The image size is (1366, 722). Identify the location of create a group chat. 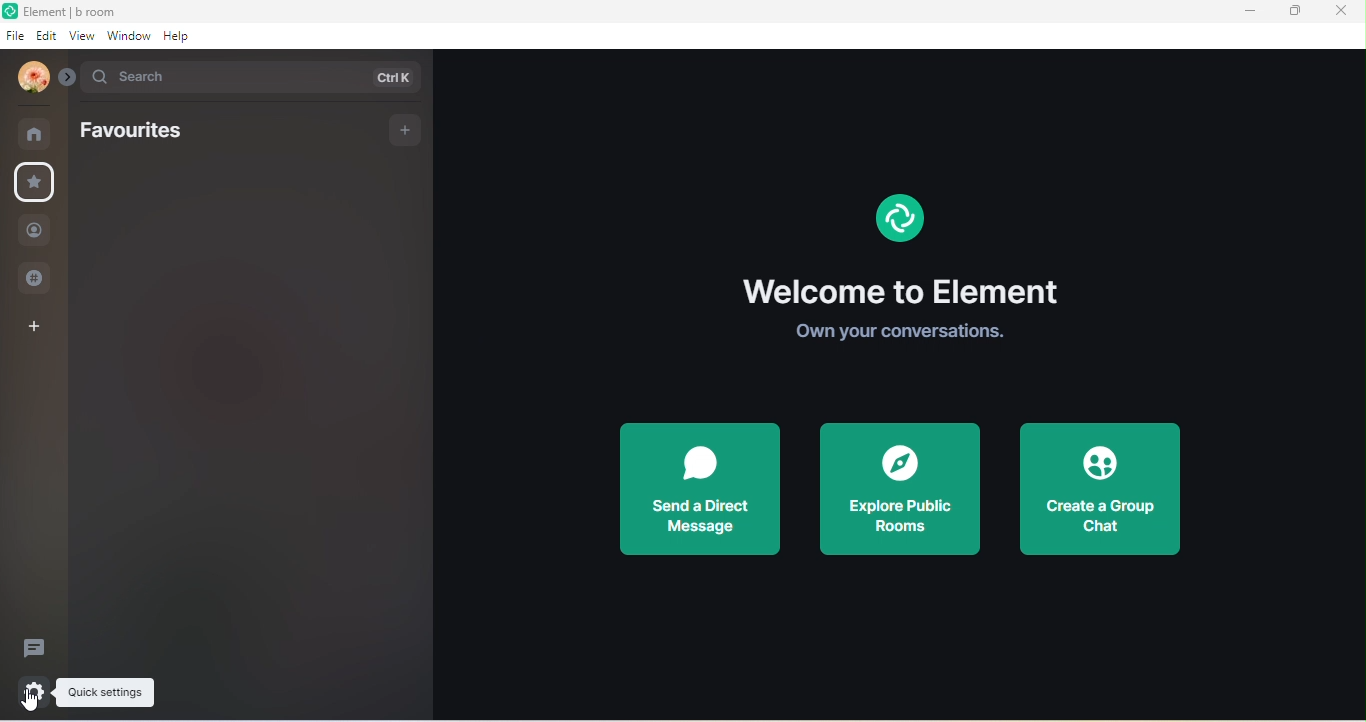
(1104, 487).